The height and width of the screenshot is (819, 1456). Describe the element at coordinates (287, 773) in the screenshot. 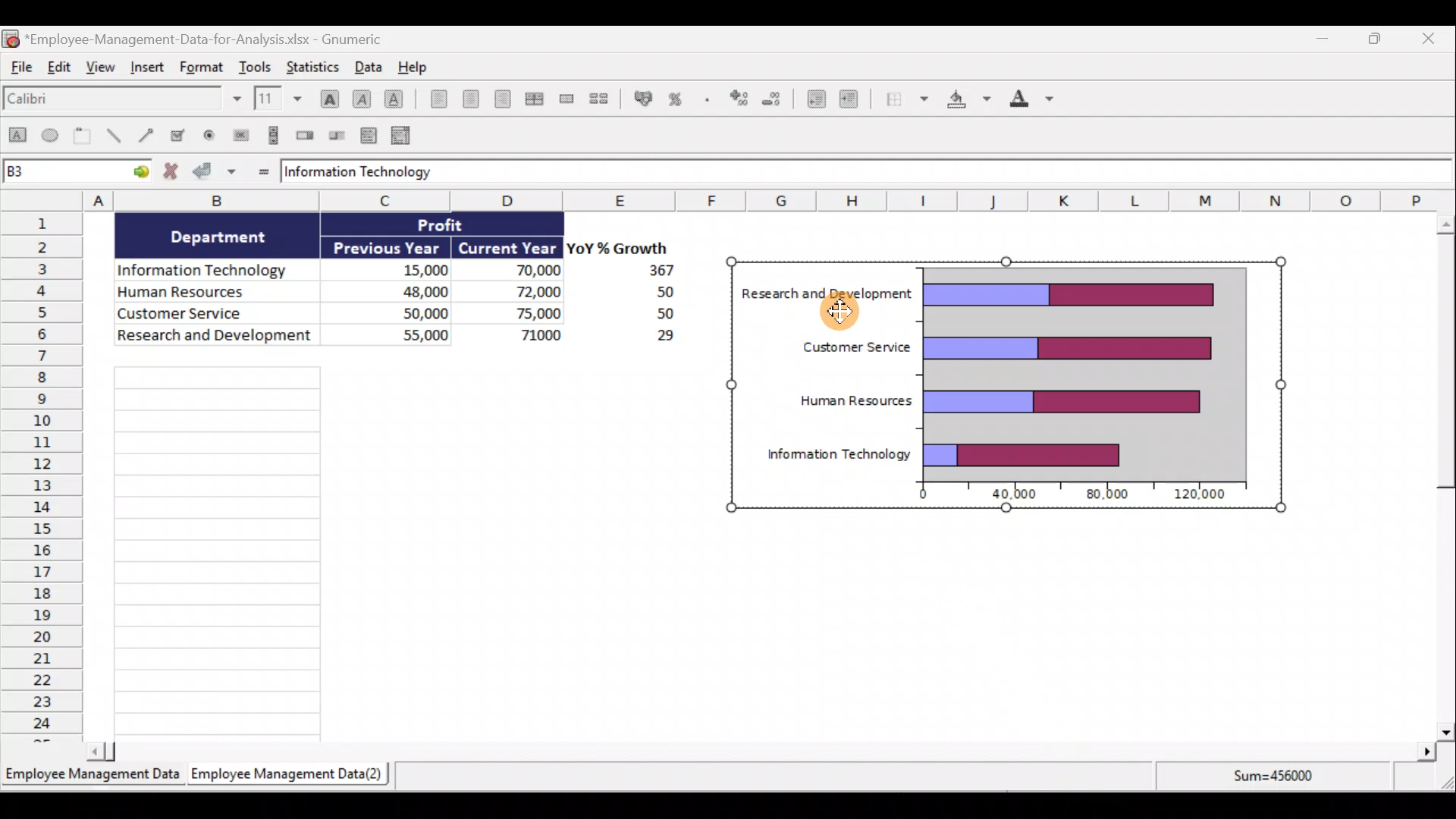

I see `Employee Management Data (2)` at that location.